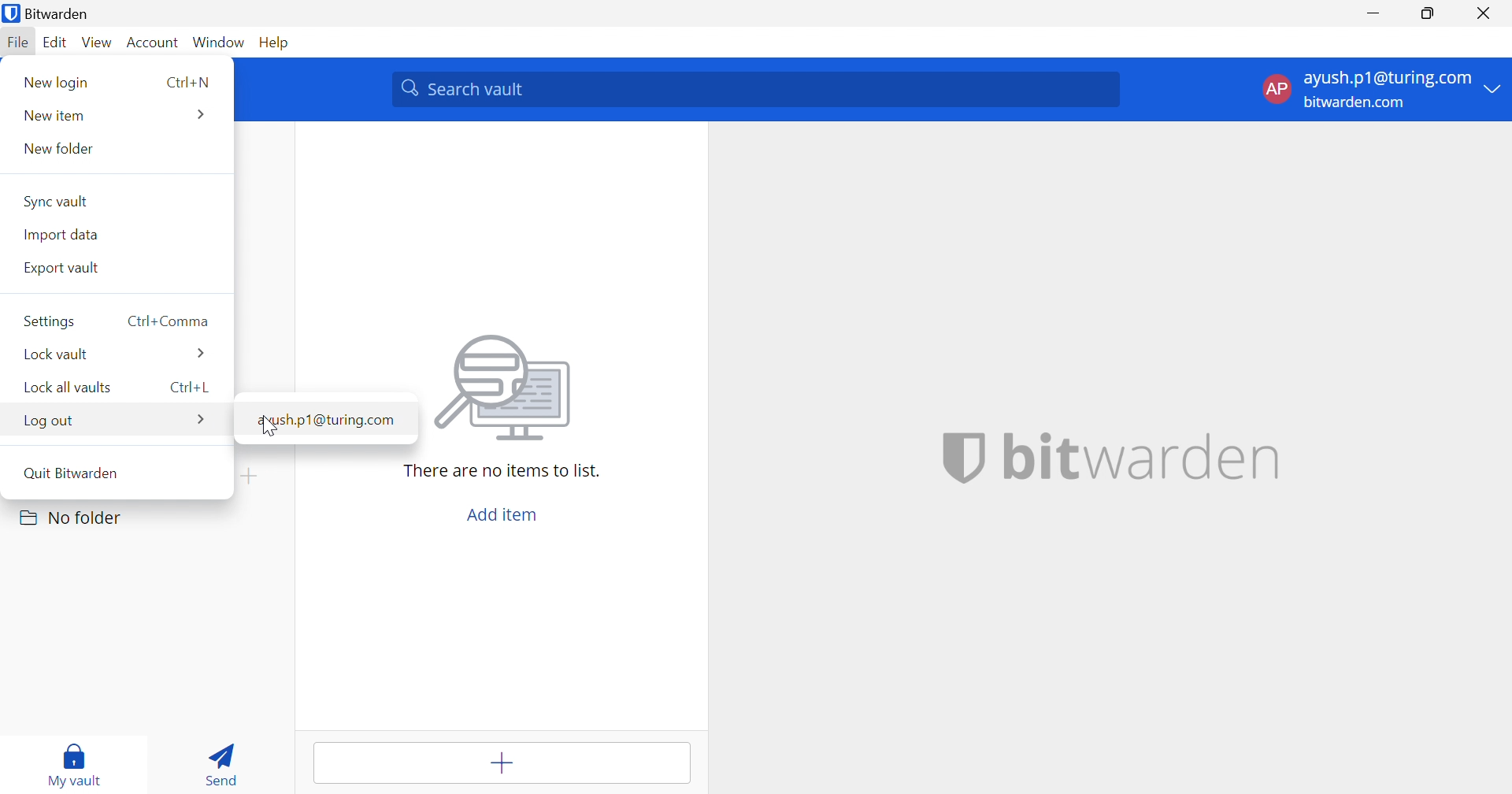  Describe the element at coordinates (49, 321) in the screenshot. I see `Settings` at that location.